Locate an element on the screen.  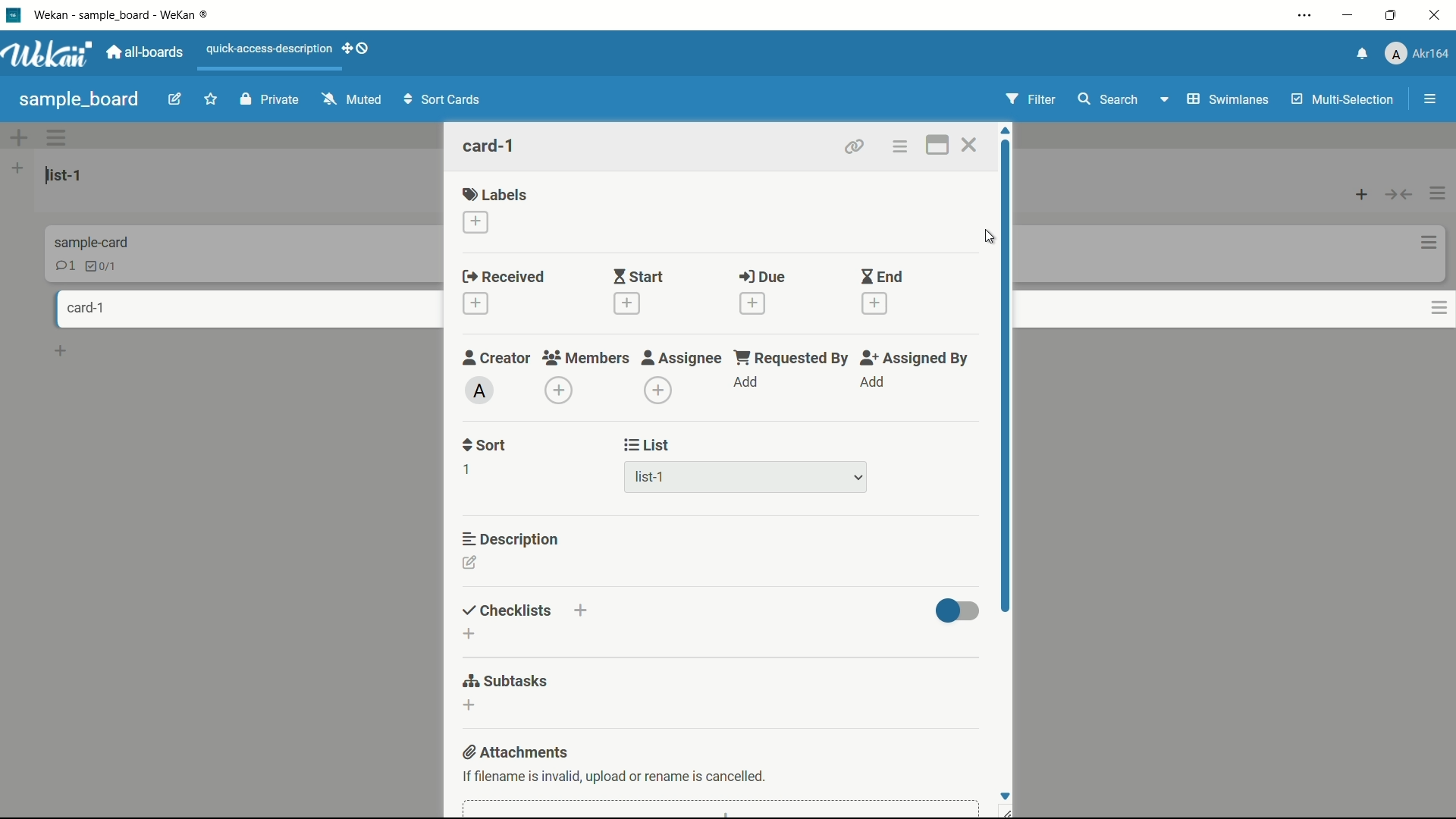
subtasks is located at coordinates (506, 681).